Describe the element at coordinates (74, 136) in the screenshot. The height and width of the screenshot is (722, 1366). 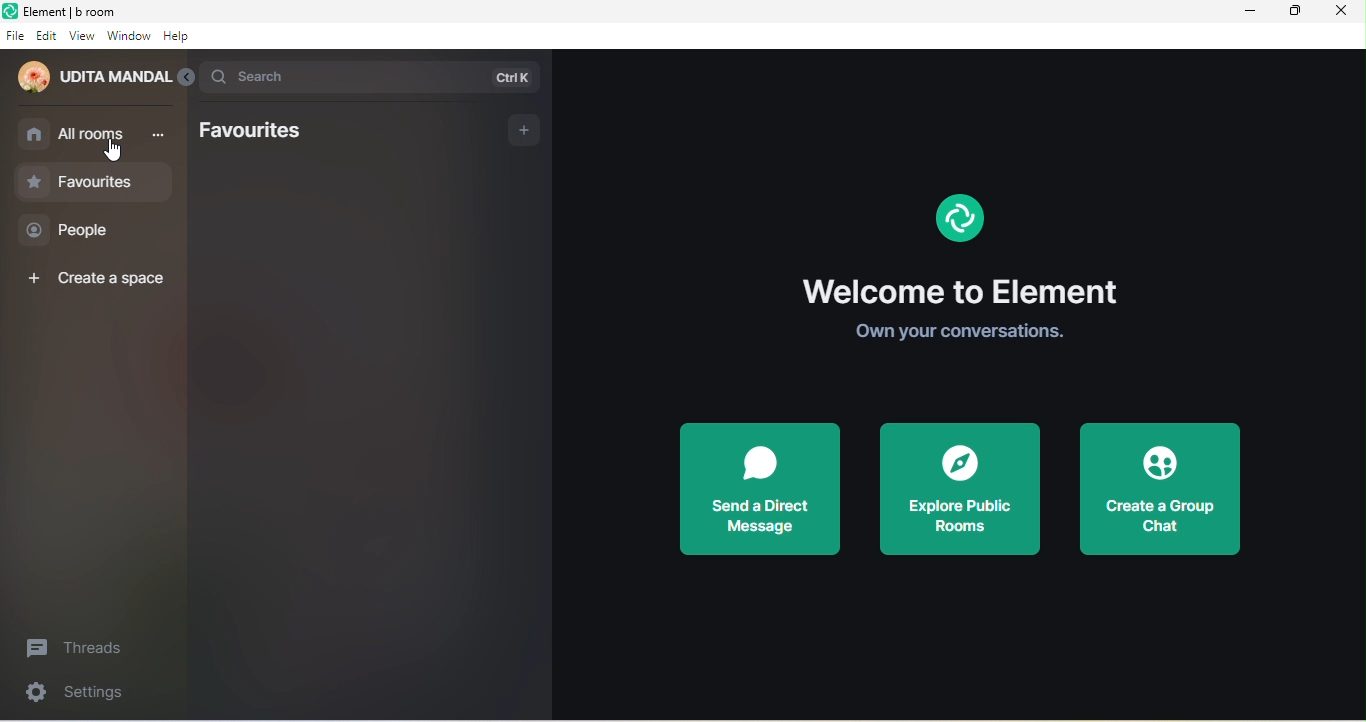
I see `all rooms` at that location.